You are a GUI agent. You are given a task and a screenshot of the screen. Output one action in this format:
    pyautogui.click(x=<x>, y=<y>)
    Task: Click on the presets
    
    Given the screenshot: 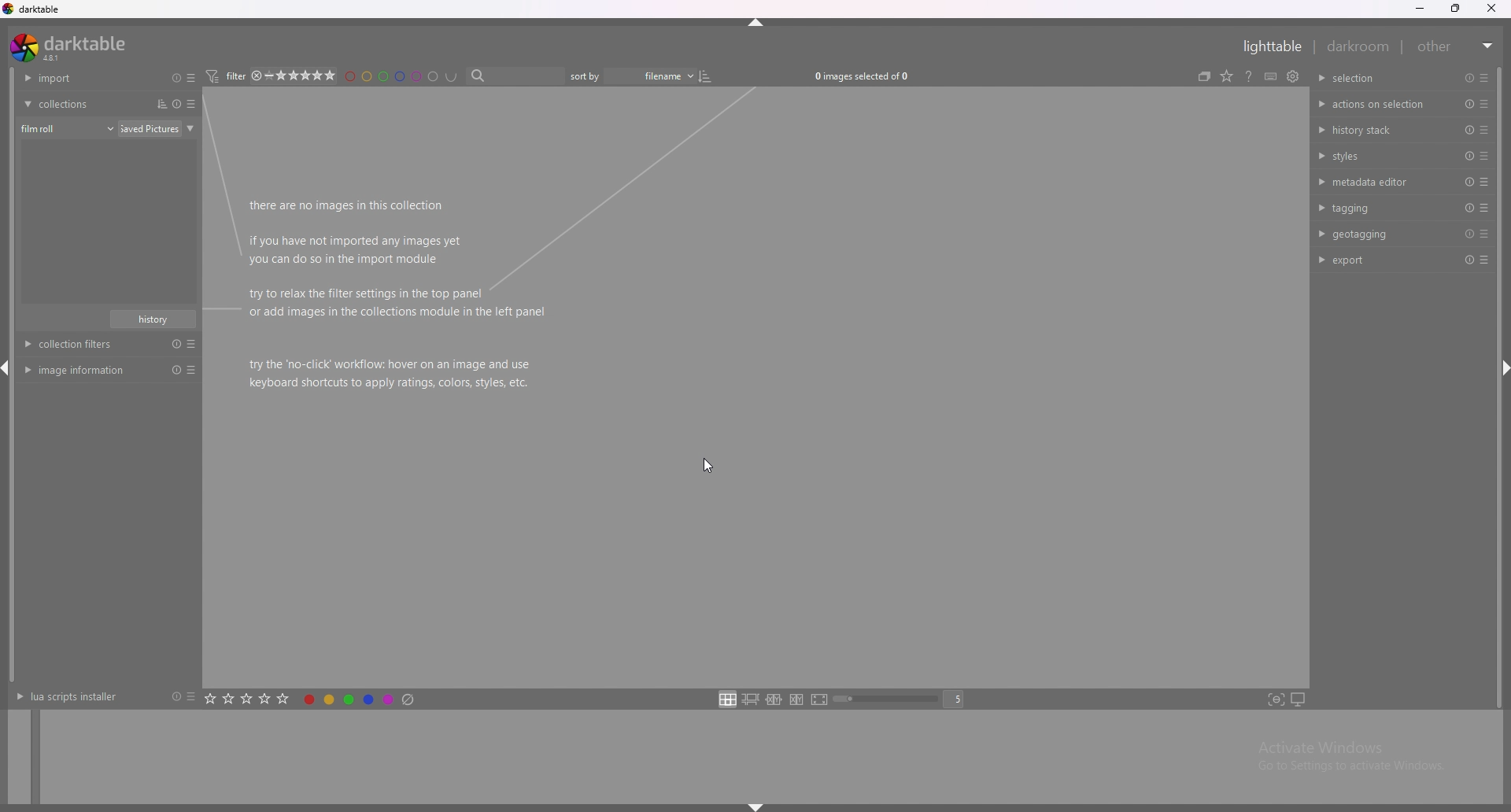 What is the action you would take?
    pyautogui.click(x=194, y=78)
    